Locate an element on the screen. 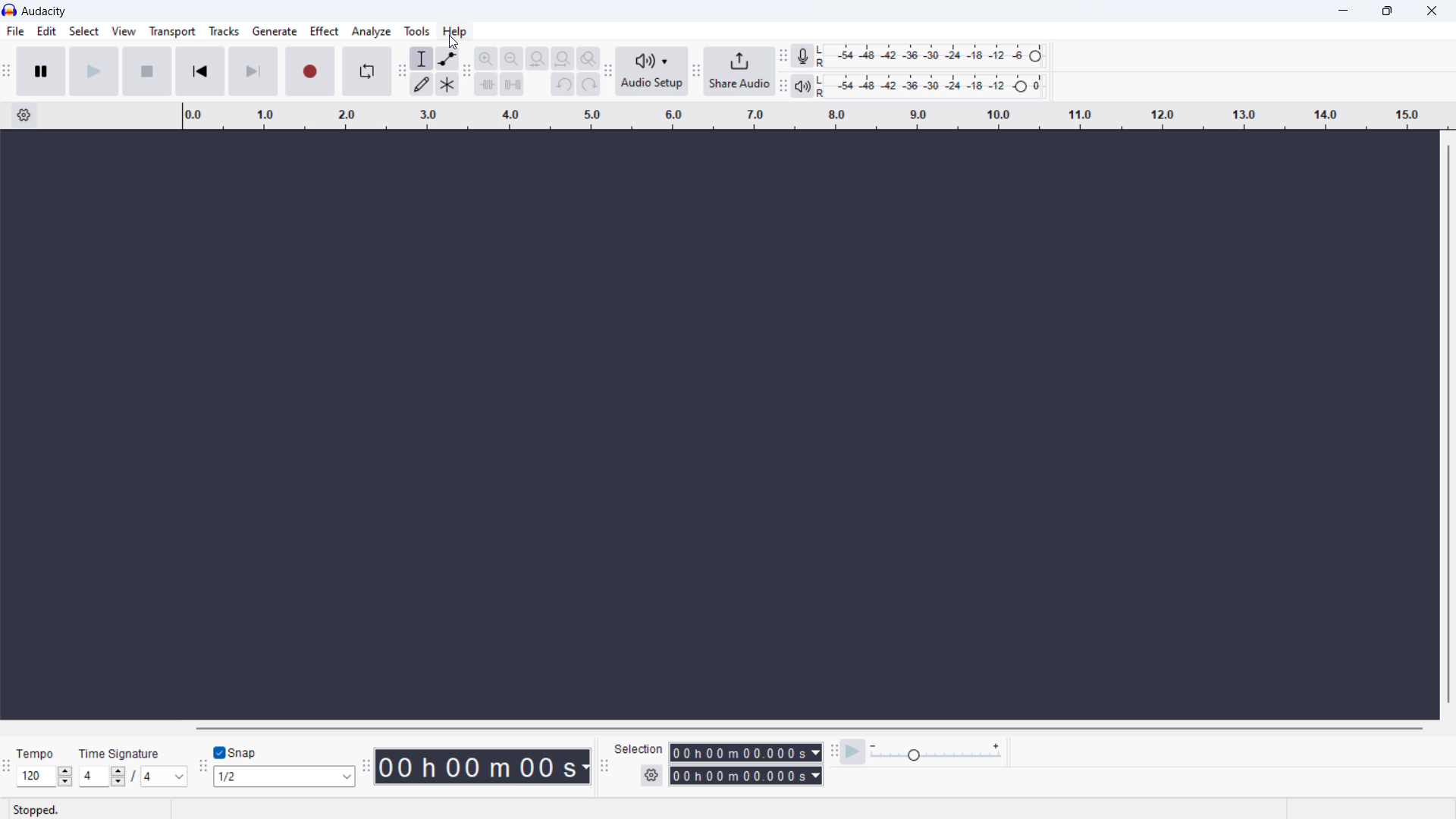 This screenshot has width=1456, height=819. vertical scrollbar is located at coordinates (1448, 426).